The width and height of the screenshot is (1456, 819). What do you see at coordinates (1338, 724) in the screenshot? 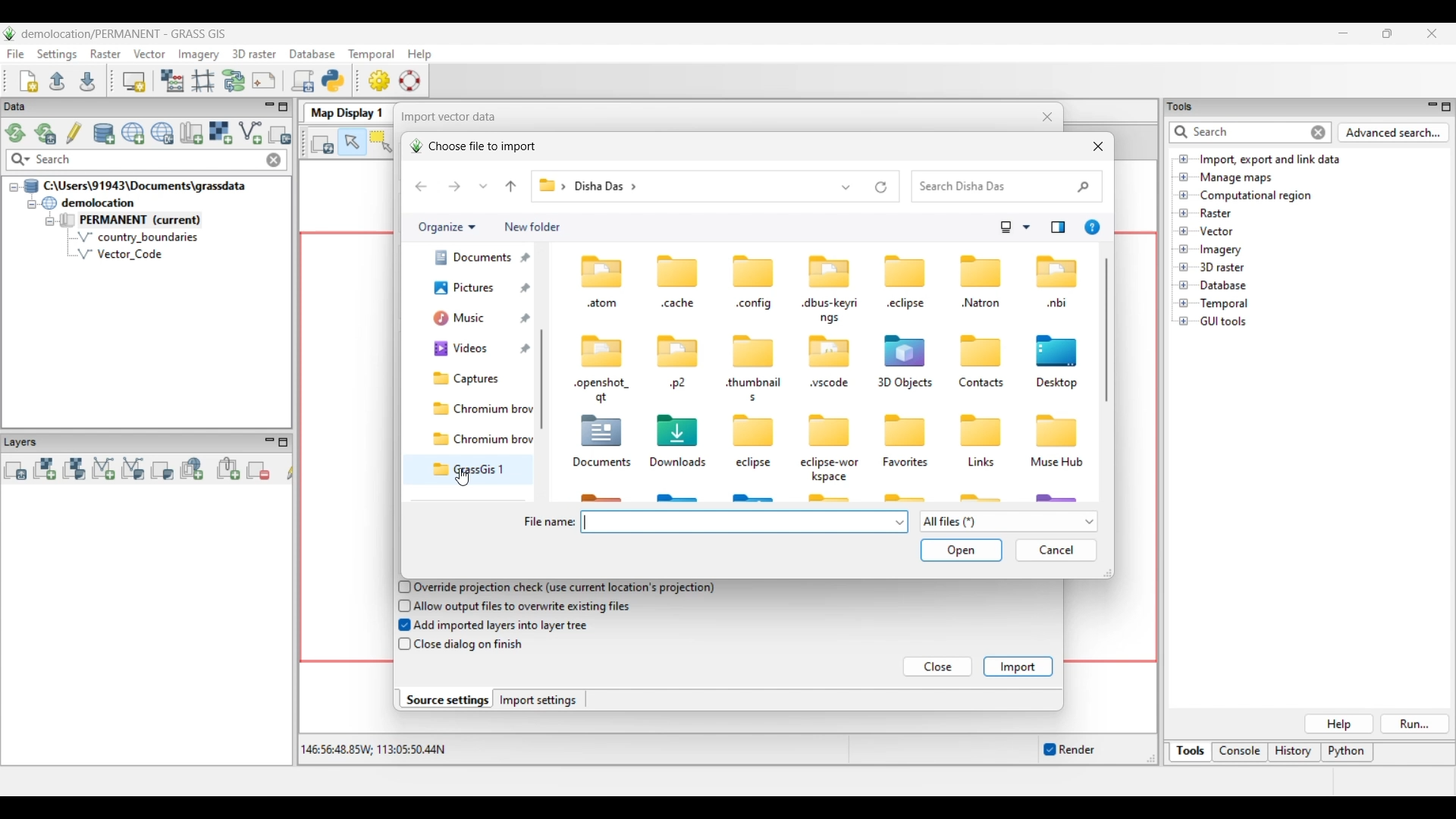
I see `Help` at bounding box center [1338, 724].